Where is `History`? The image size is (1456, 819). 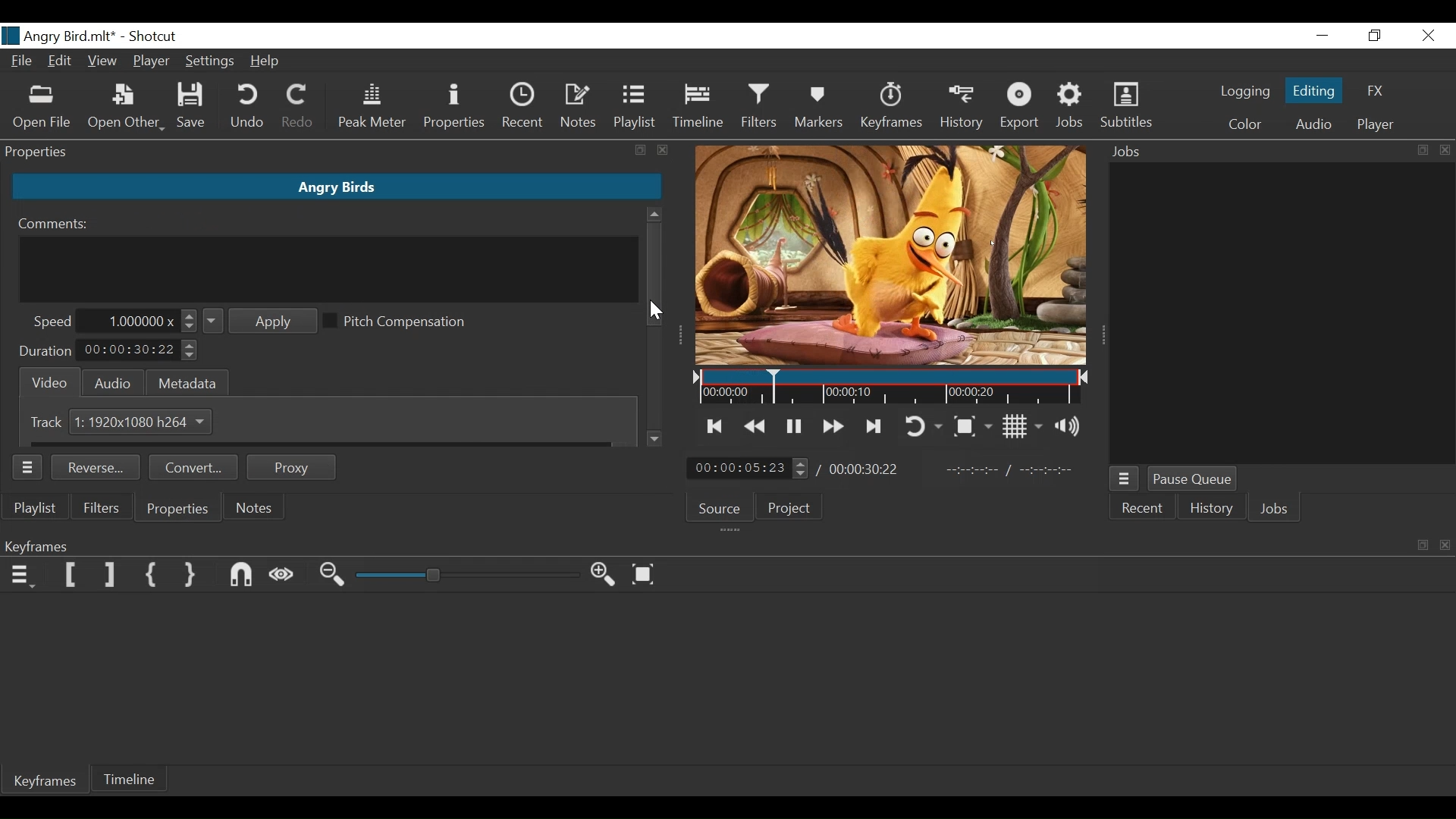 History is located at coordinates (1209, 510).